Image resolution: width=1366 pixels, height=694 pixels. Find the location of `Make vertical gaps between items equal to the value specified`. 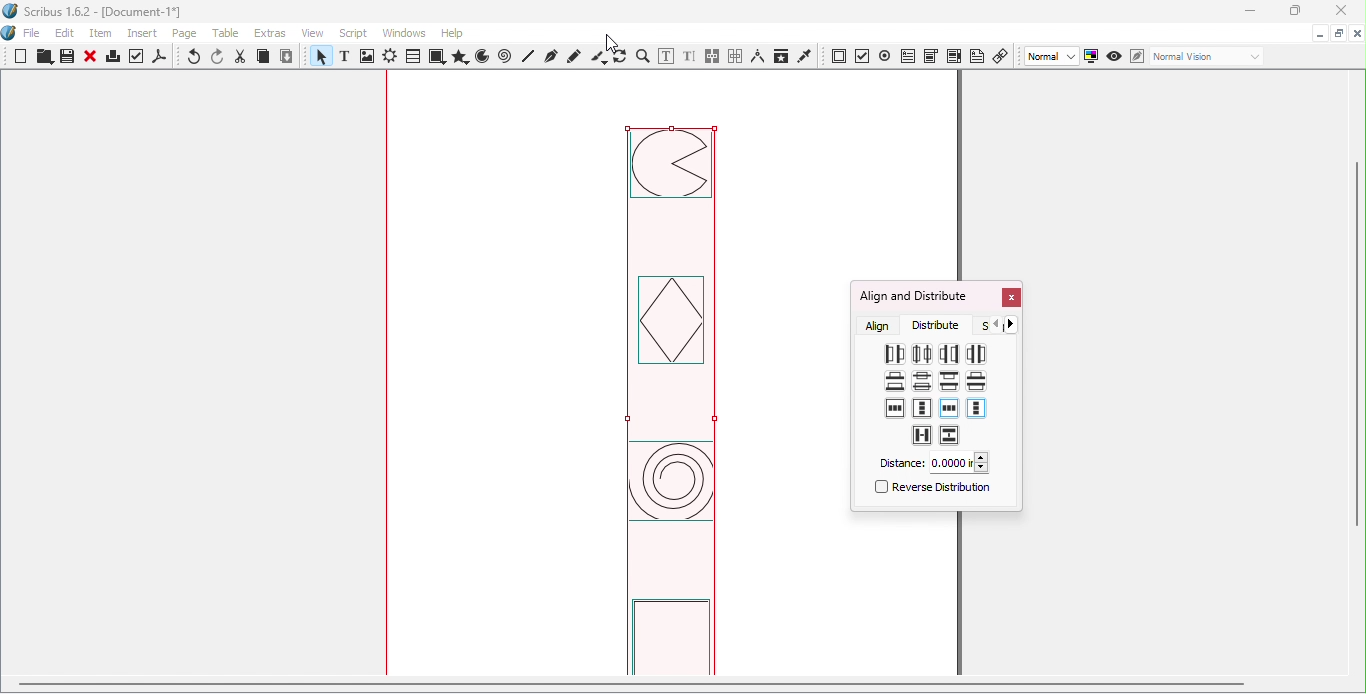

Make vertical gaps between items equal to the value specified is located at coordinates (950, 436).